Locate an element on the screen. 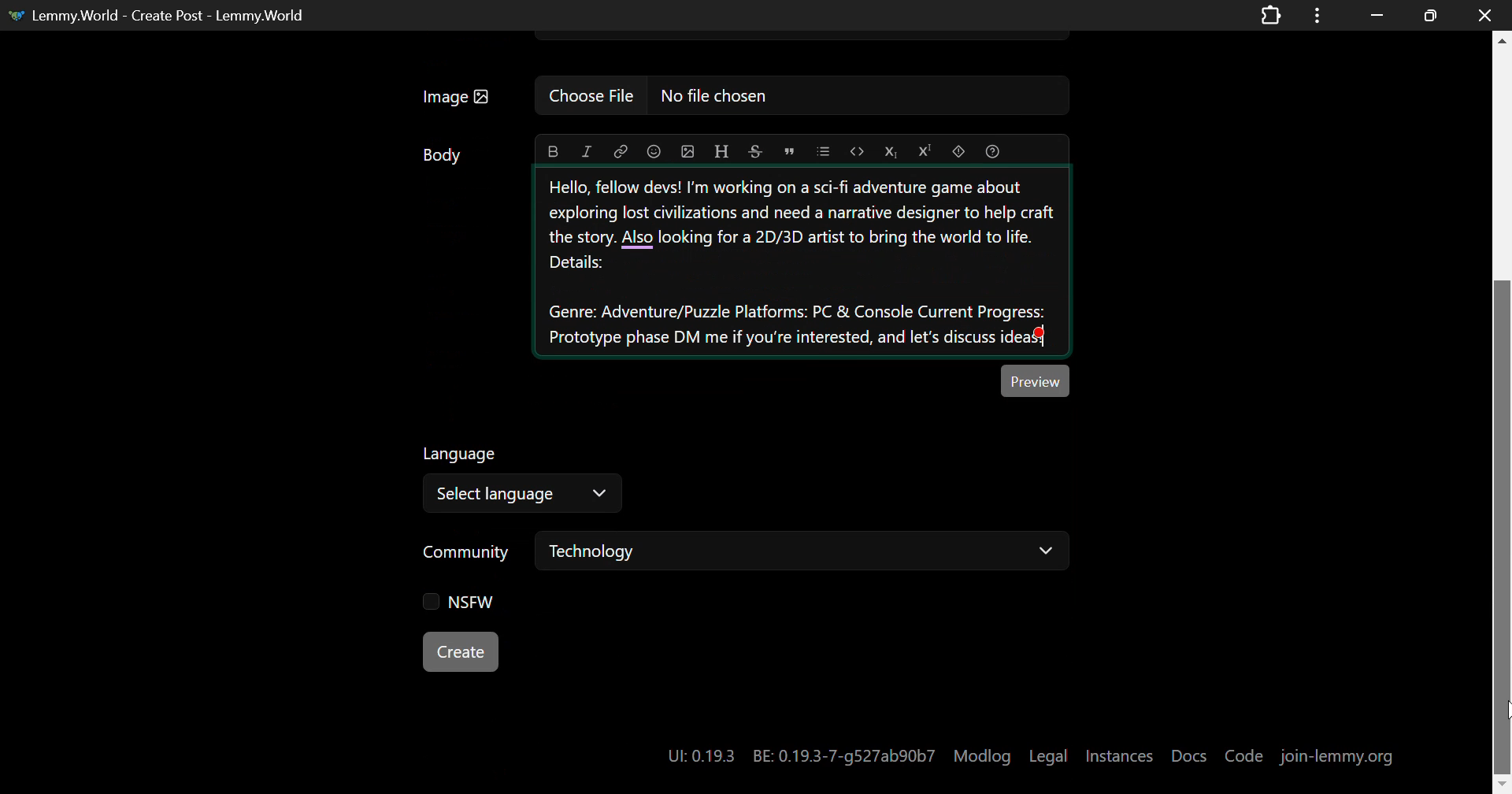  Preview is located at coordinates (1036, 380).